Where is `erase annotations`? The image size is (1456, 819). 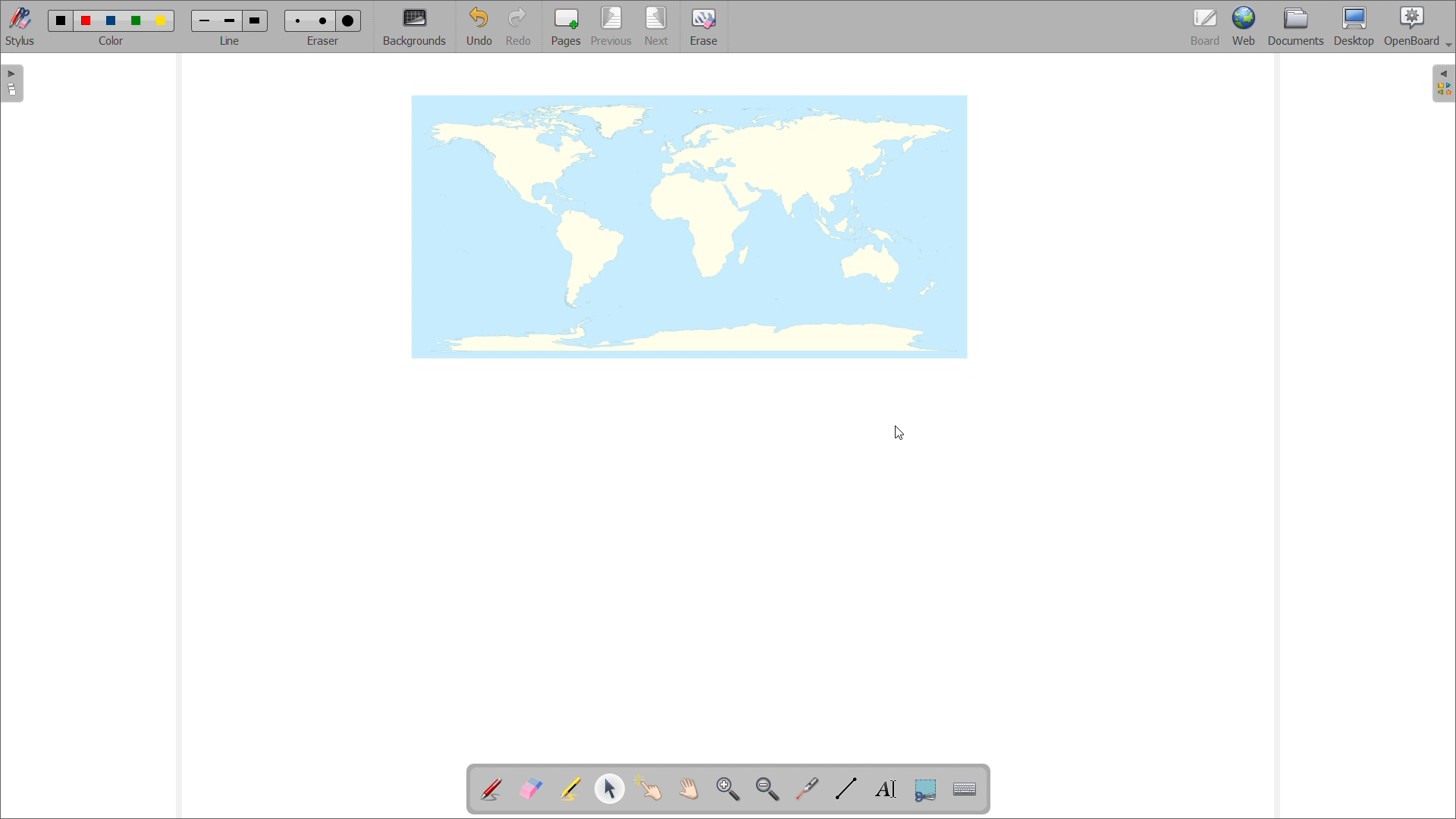
erase annotations is located at coordinates (530, 787).